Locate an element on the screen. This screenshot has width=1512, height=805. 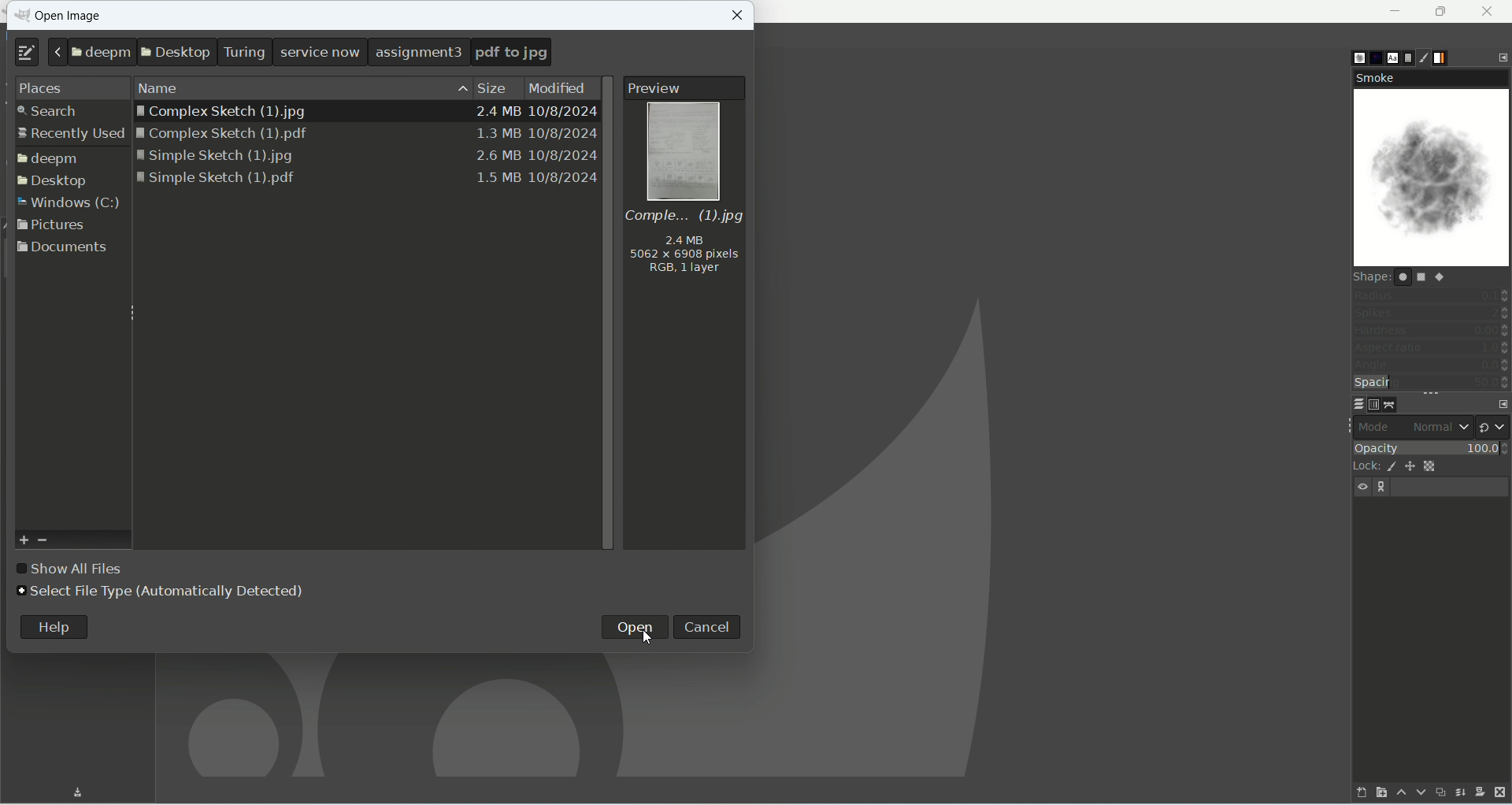
Cursor is located at coordinates (648, 636).